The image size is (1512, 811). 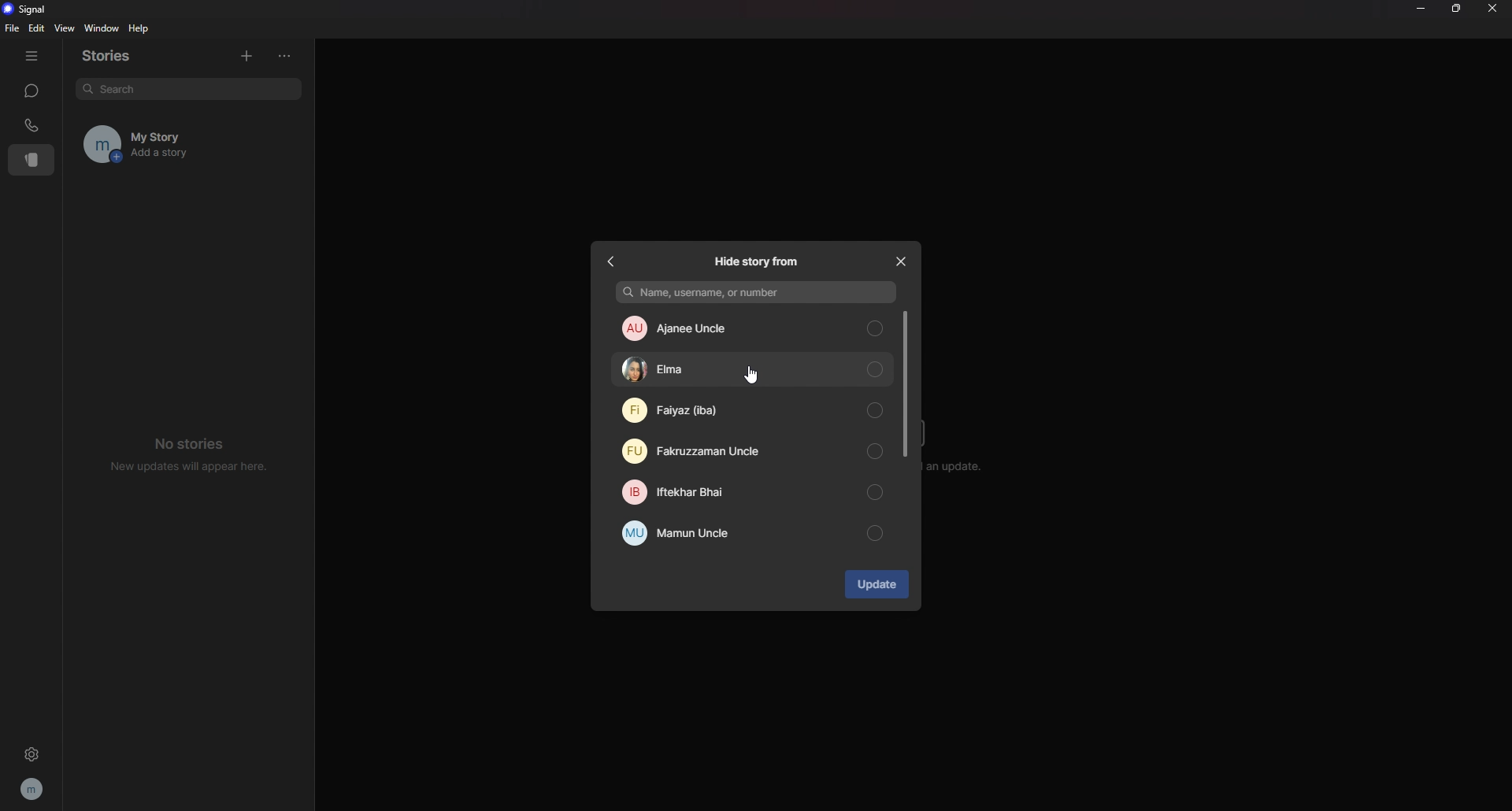 I want to click on name, username or number, so click(x=759, y=292).